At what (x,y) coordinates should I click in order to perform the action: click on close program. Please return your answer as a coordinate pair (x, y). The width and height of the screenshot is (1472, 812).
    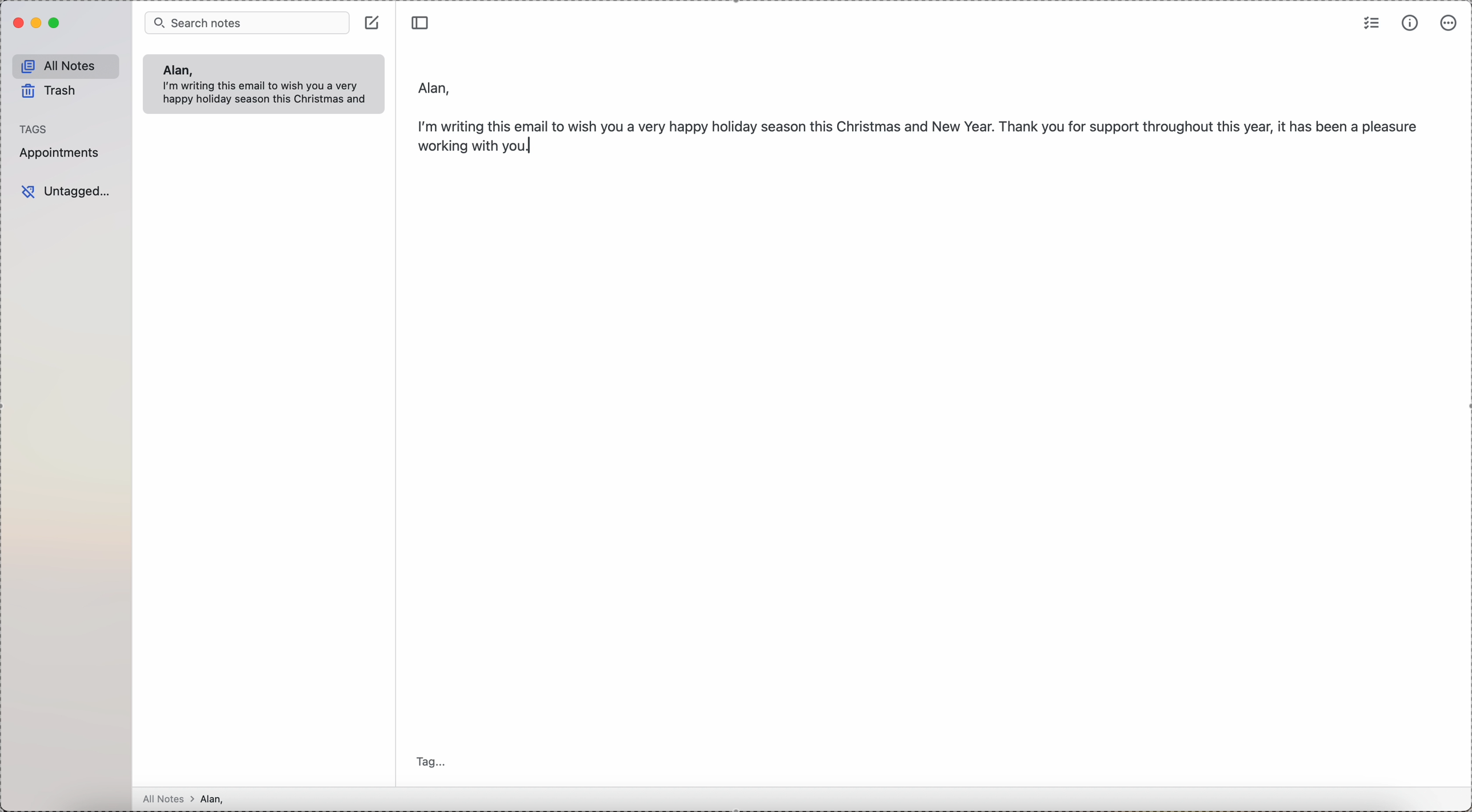
    Looking at the image, I should click on (17, 23).